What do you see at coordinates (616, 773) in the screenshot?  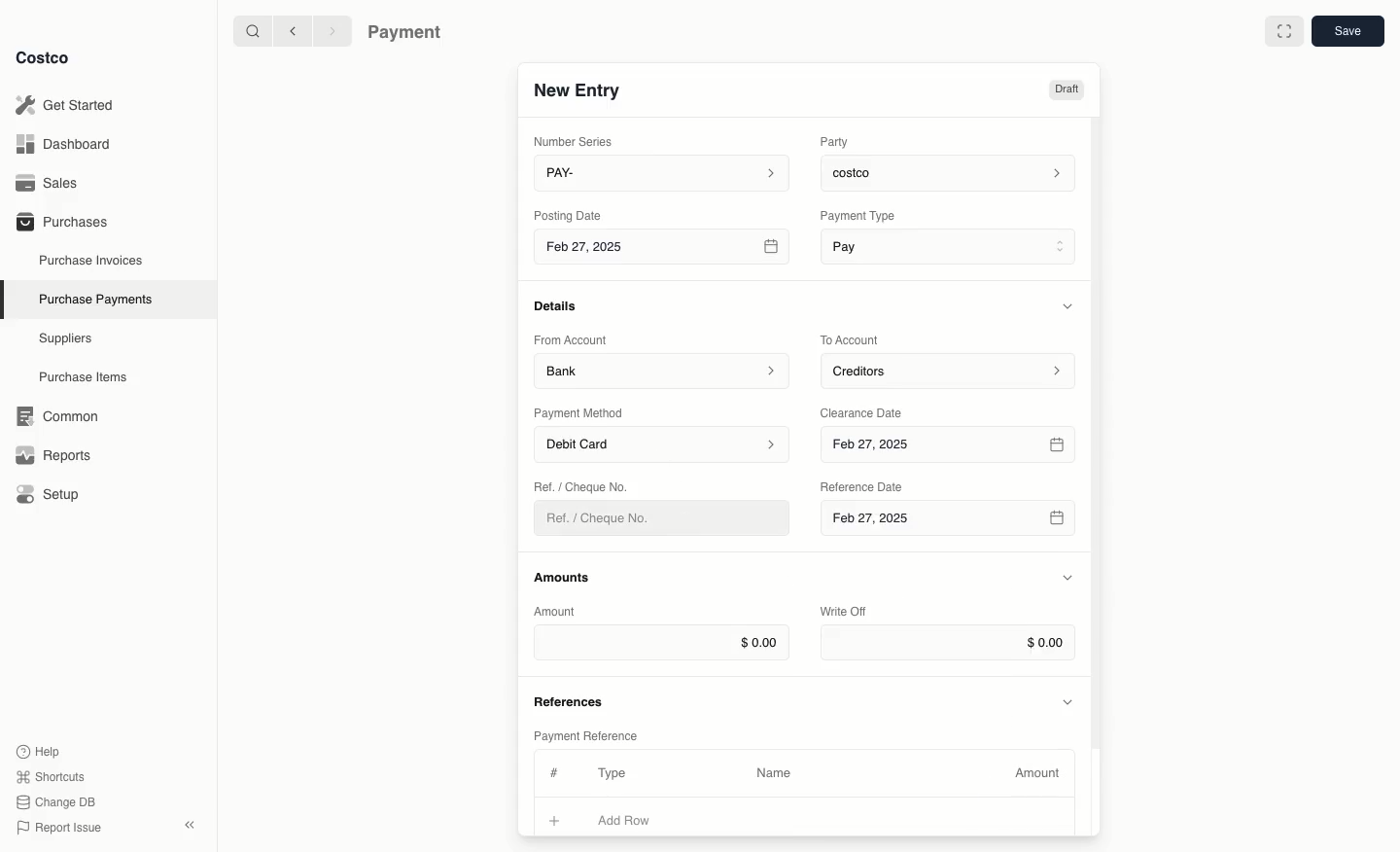 I see `Type` at bounding box center [616, 773].